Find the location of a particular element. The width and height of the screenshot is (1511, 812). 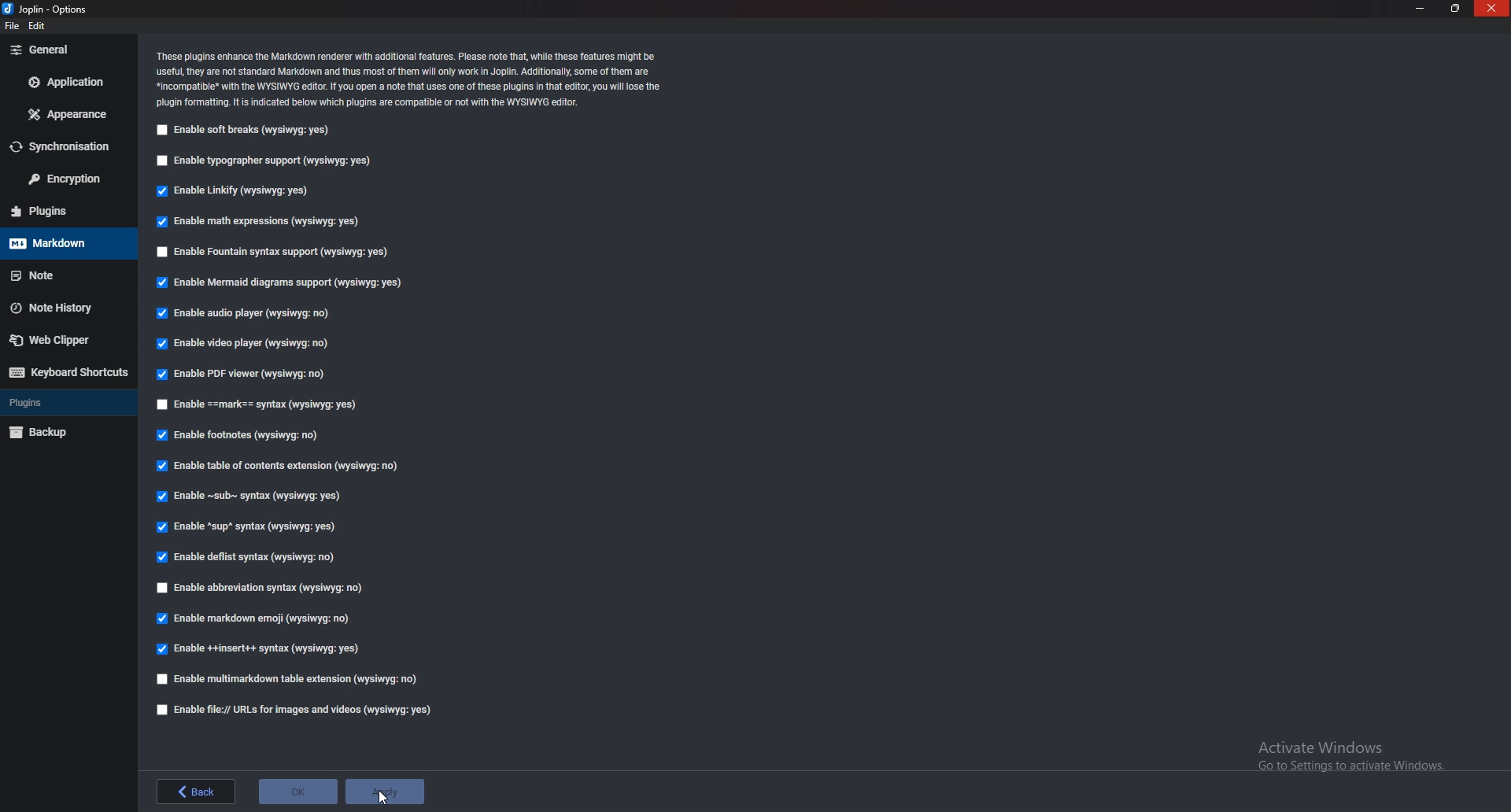

Keyboard shortcuts is located at coordinates (66, 374).